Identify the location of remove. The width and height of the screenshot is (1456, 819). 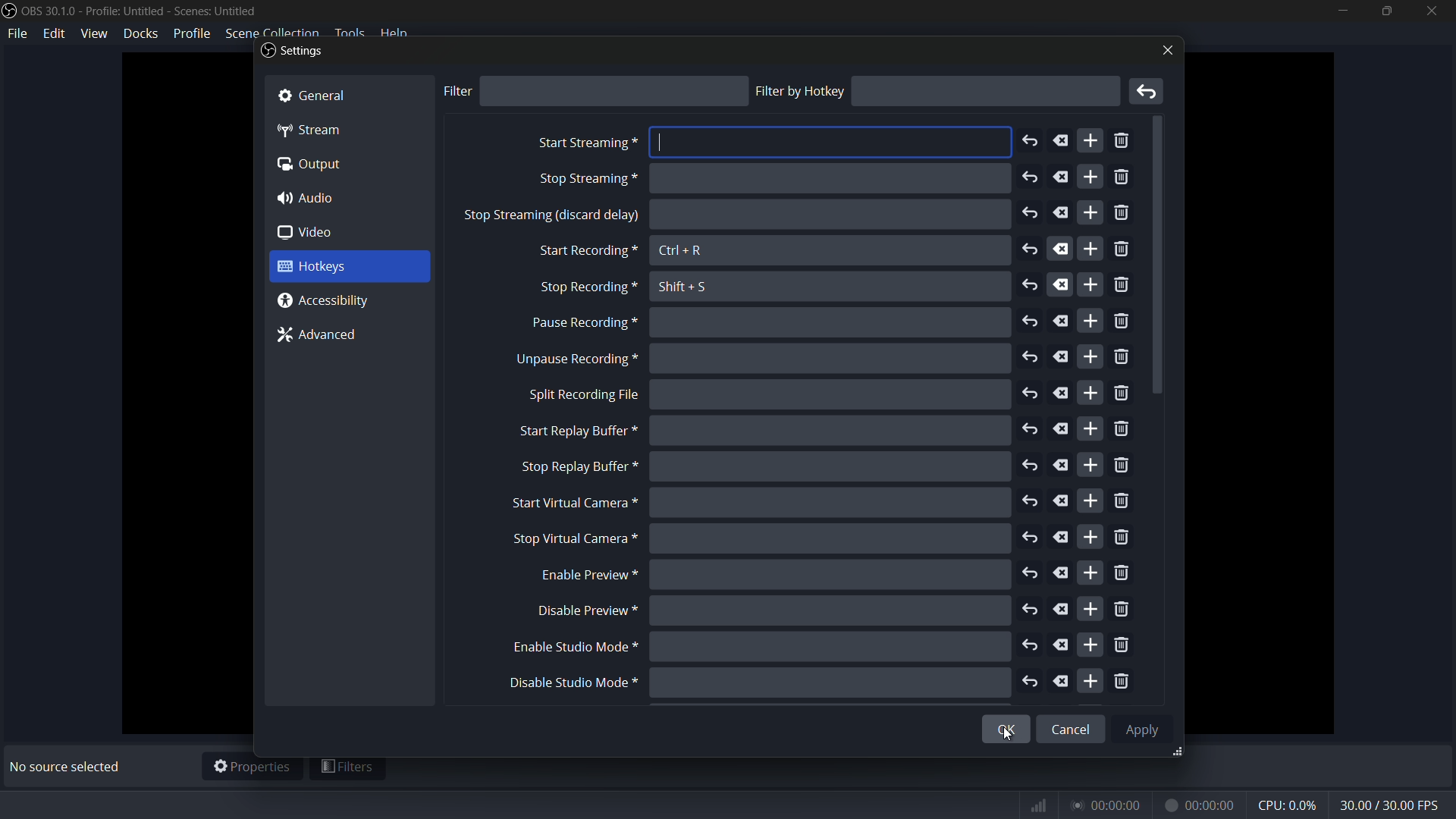
(1123, 179).